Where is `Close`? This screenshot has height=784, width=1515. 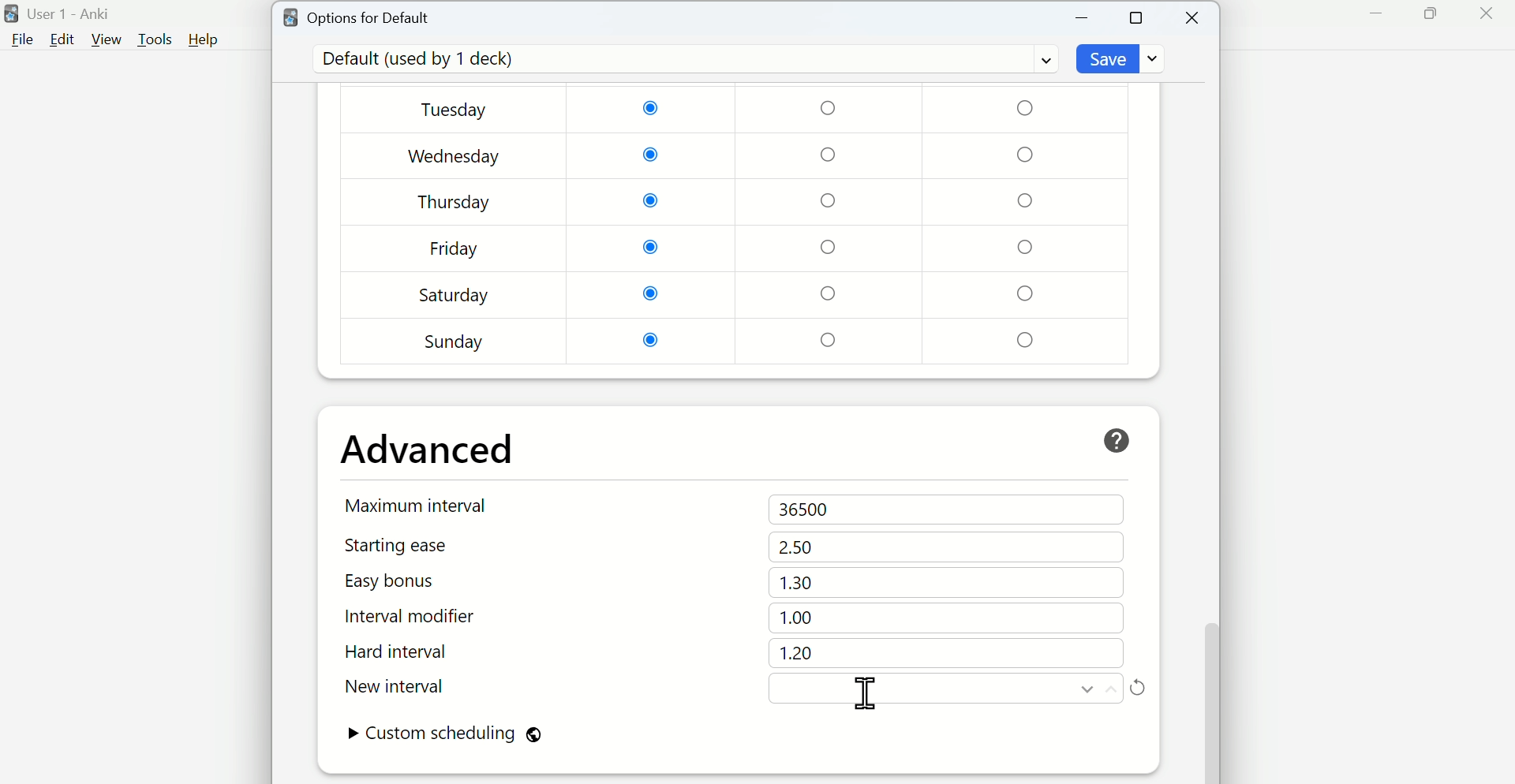
Close is located at coordinates (1486, 14).